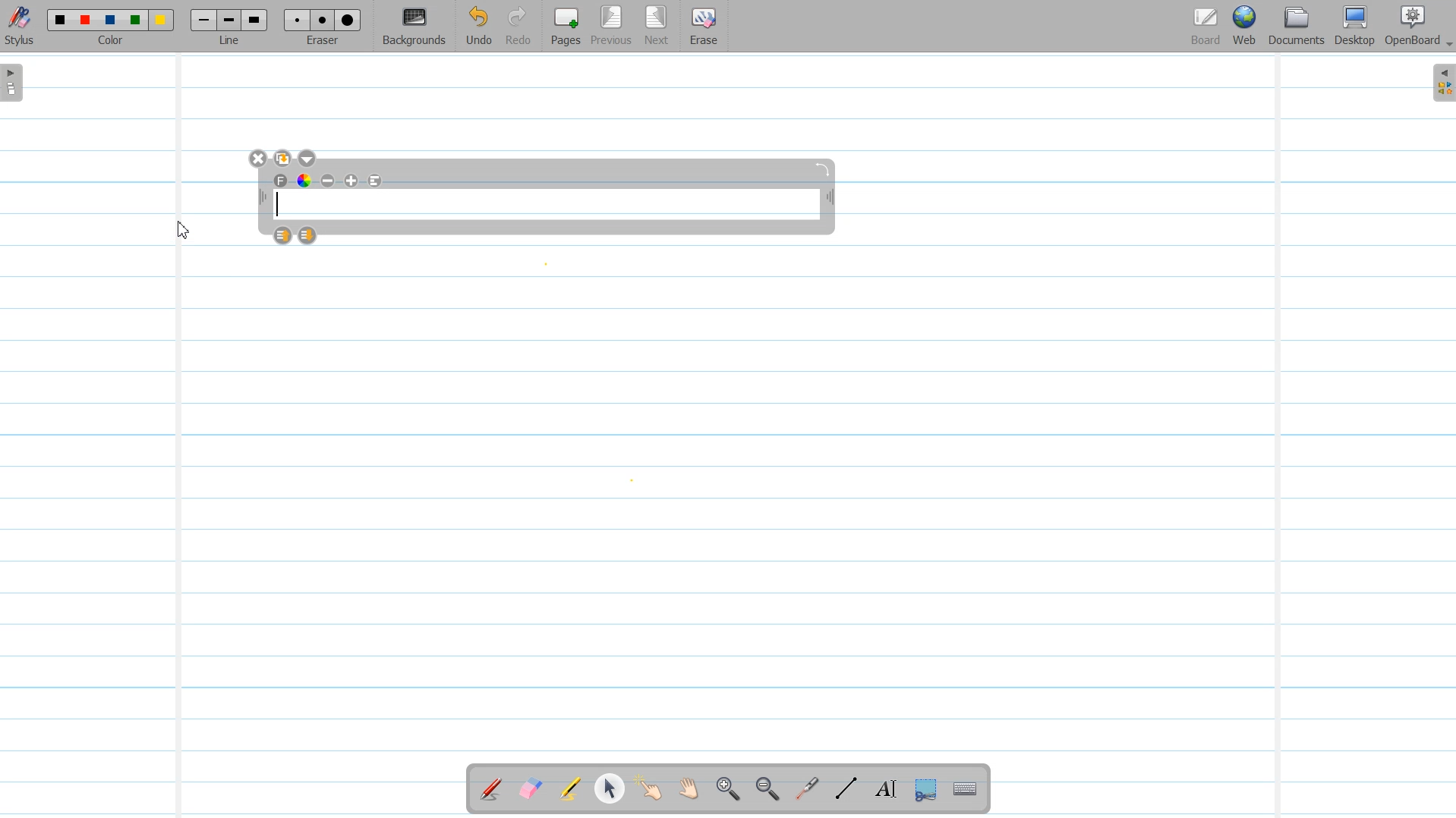  I want to click on Duplicate text , so click(284, 159).